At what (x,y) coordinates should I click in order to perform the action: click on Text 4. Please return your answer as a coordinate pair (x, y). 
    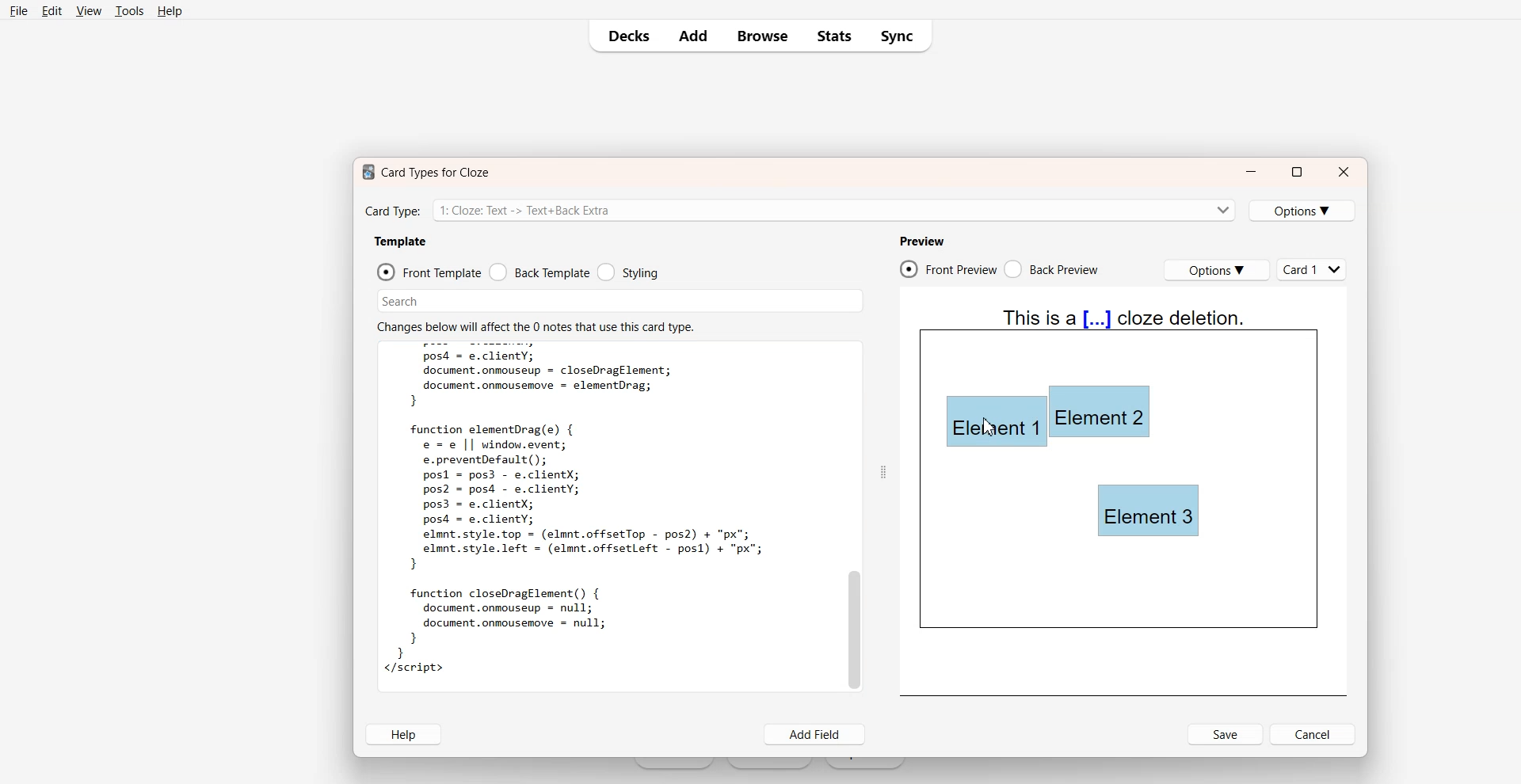
    Looking at the image, I should click on (1125, 326).